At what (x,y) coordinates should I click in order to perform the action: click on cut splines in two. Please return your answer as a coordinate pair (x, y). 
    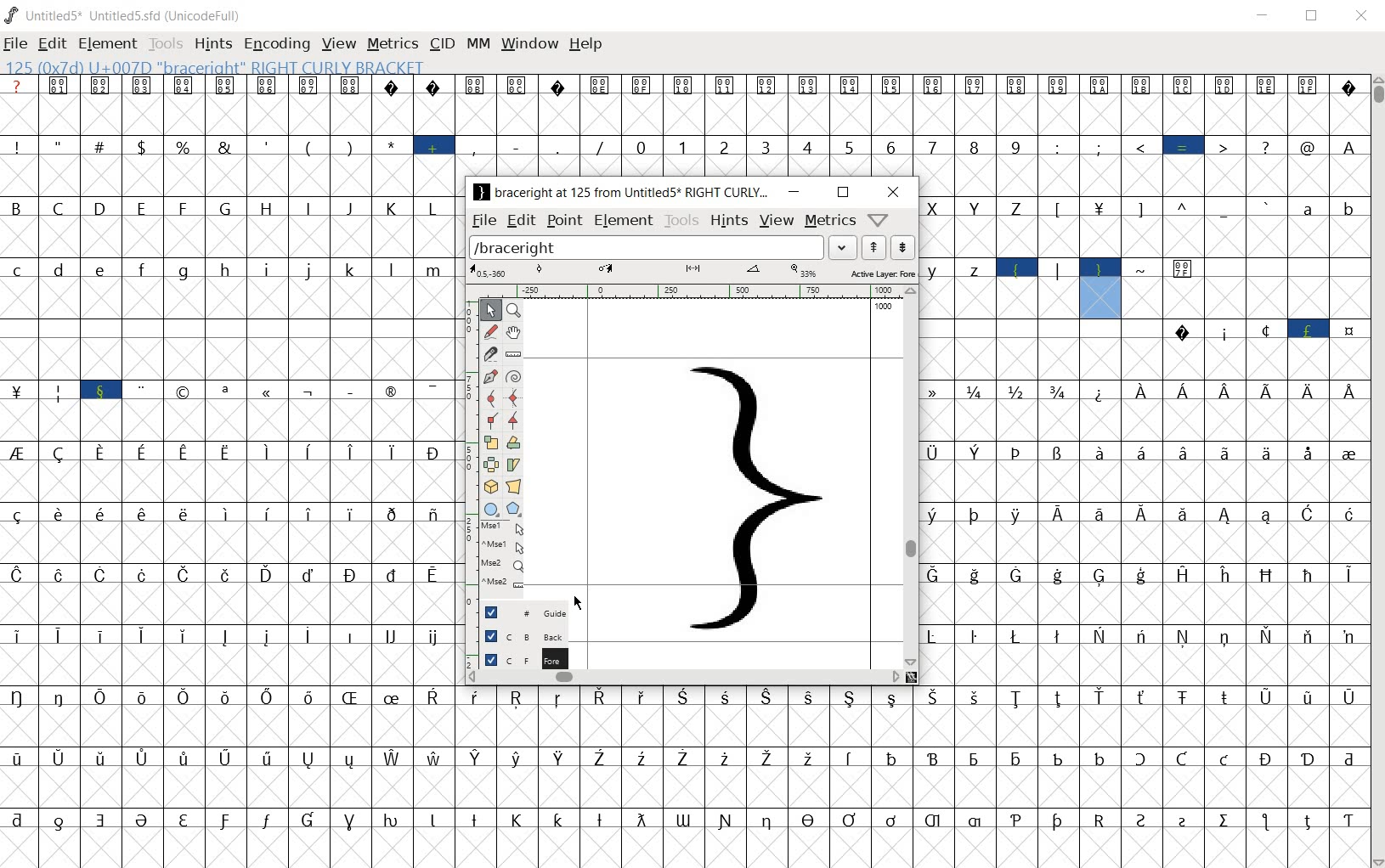
    Looking at the image, I should click on (489, 353).